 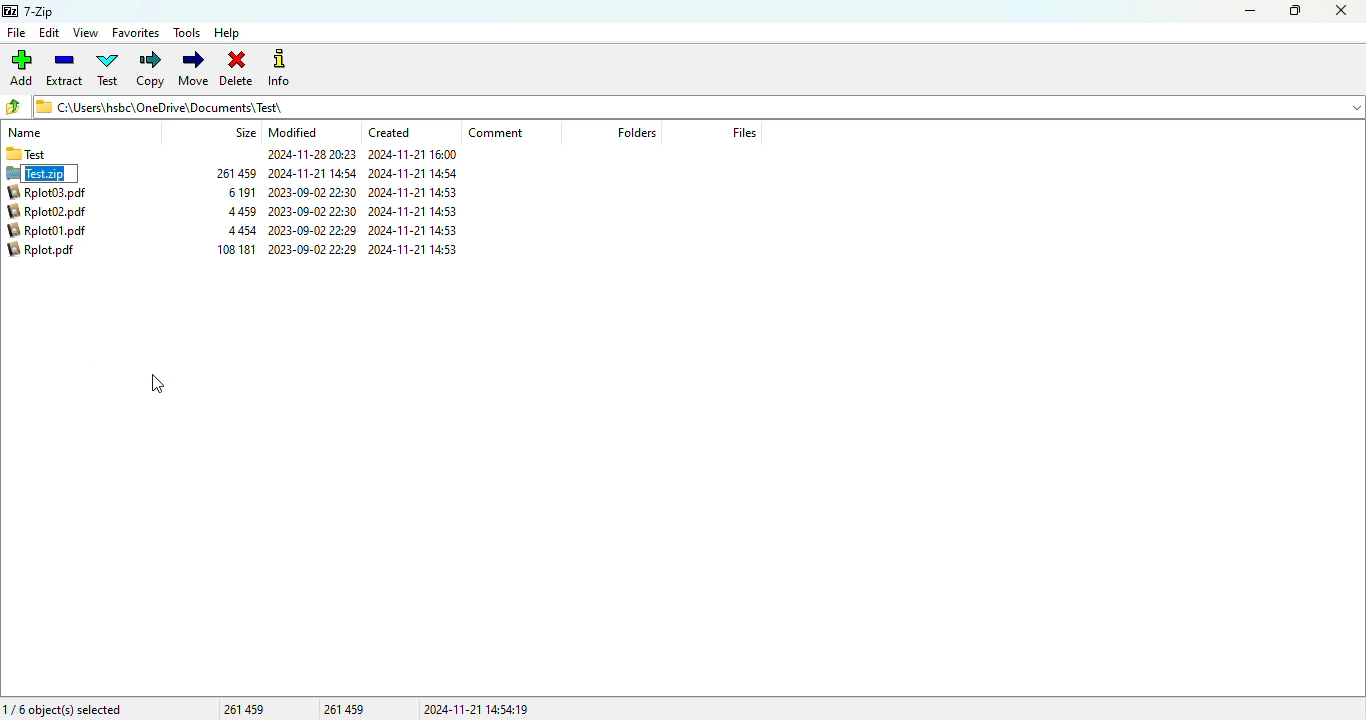 I want to click on Test , so click(x=59, y=154).